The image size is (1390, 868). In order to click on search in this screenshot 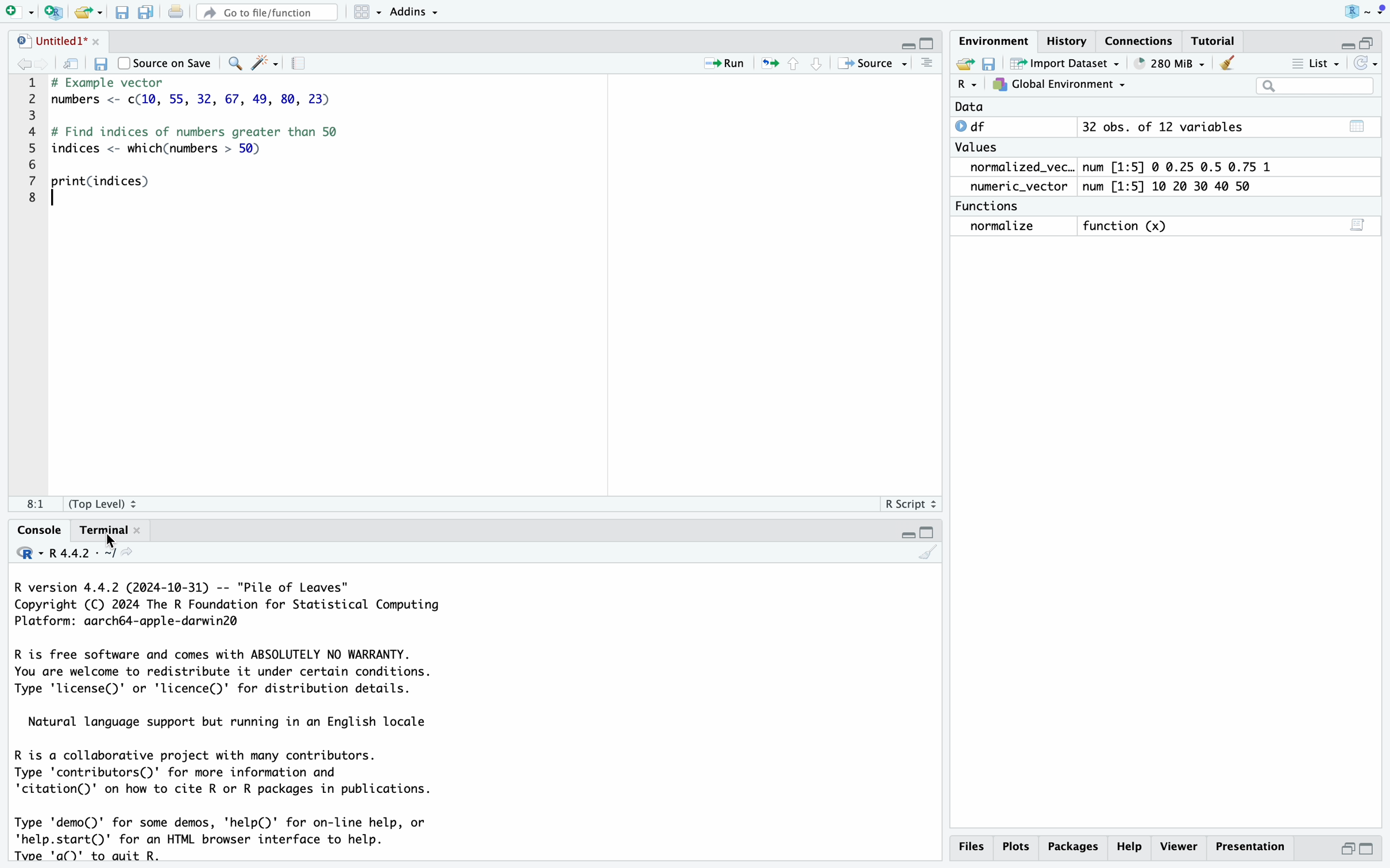, I will do `click(233, 64)`.